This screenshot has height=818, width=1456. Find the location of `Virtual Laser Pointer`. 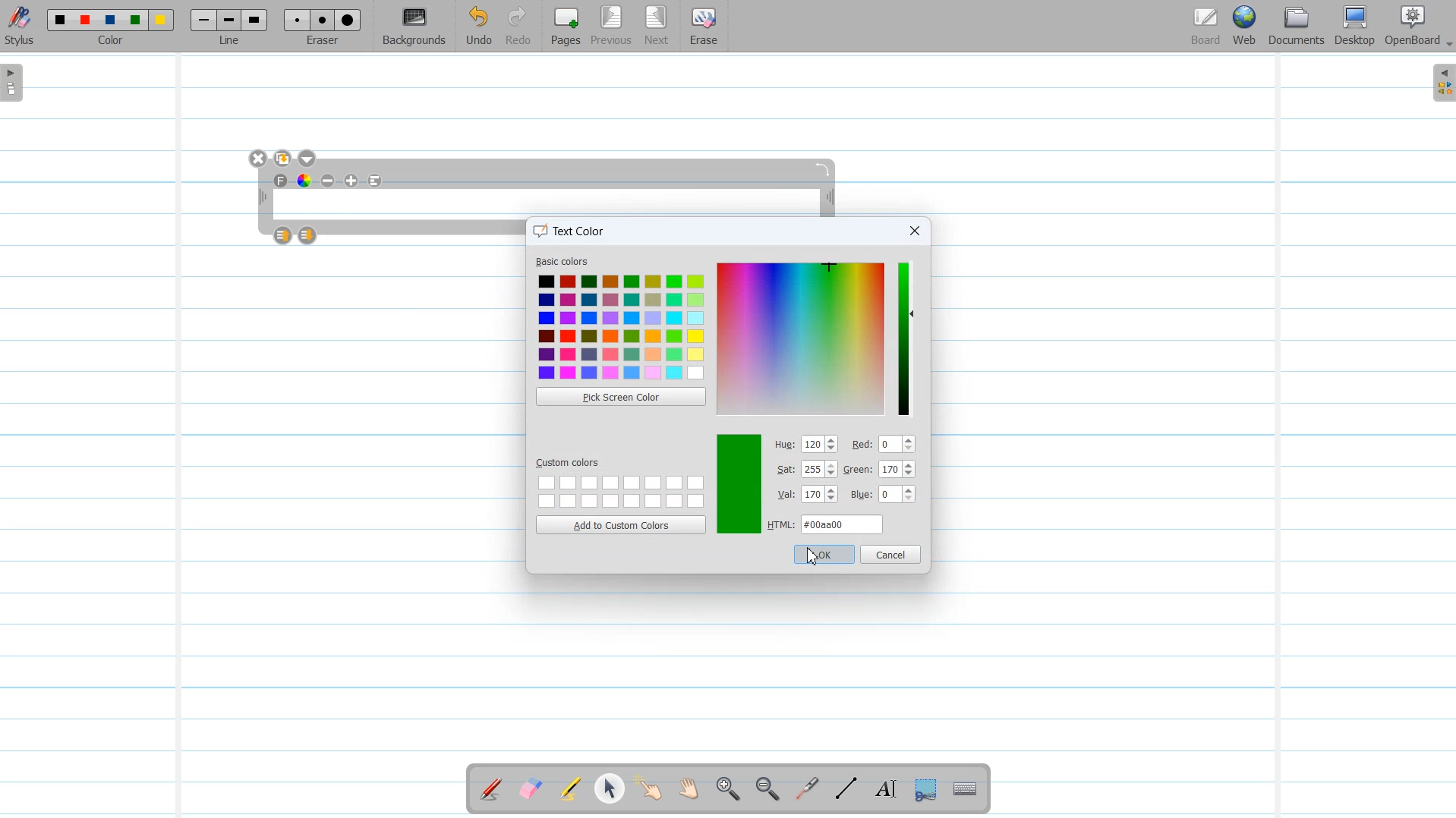

Virtual Laser Pointer is located at coordinates (803, 790).